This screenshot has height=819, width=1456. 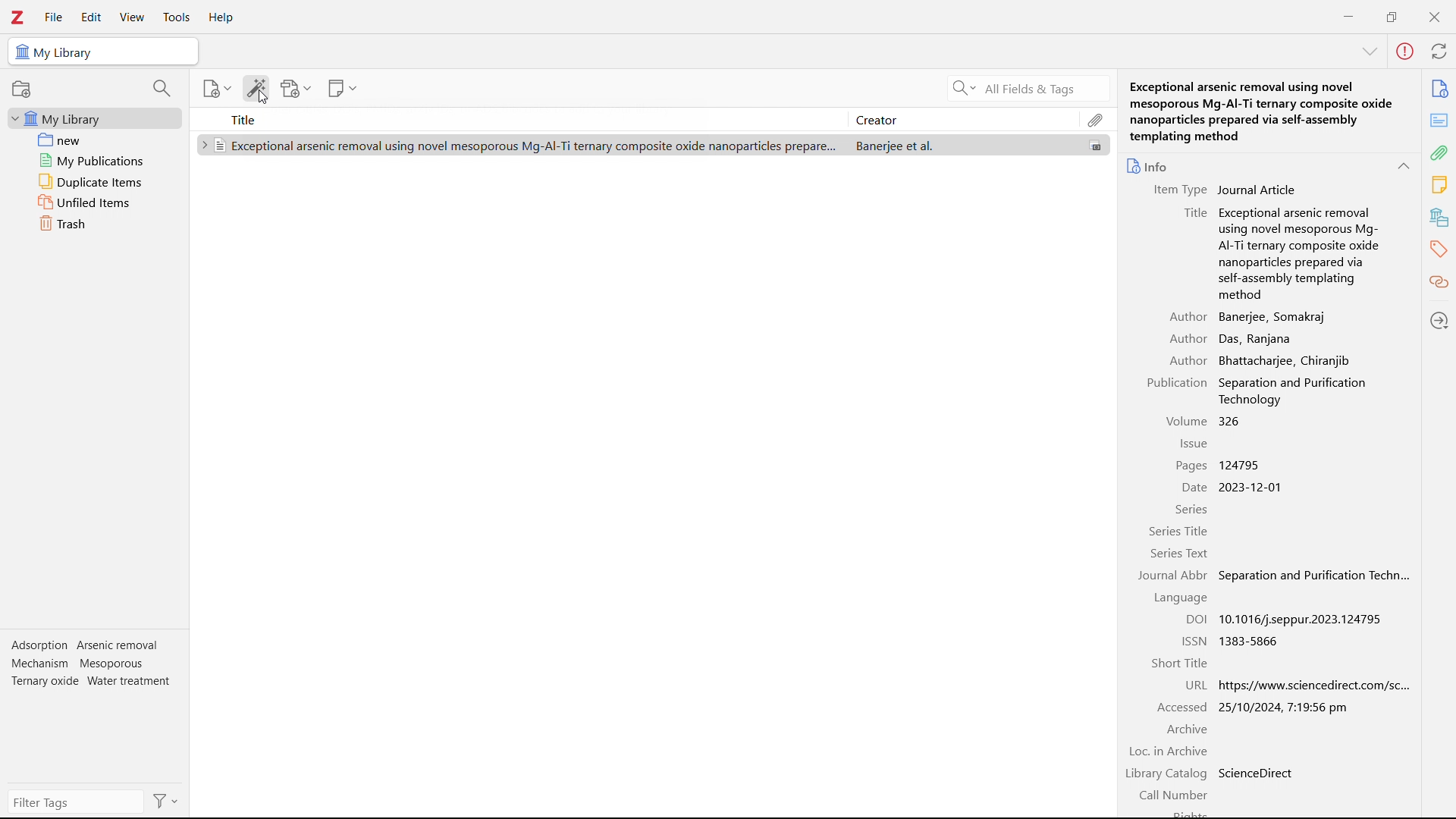 What do you see at coordinates (1440, 185) in the screenshot?
I see `notes` at bounding box center [1440, 185].